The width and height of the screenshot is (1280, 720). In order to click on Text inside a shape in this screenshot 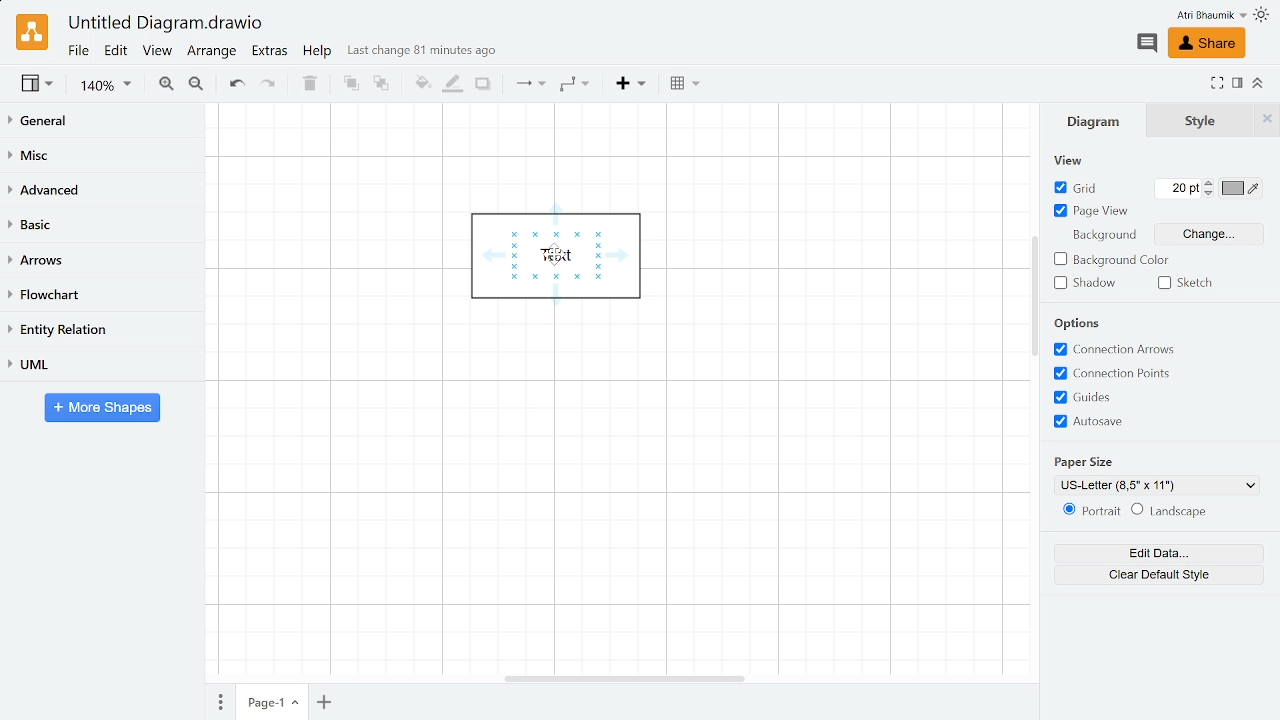, I will do `click(566, 263)`.